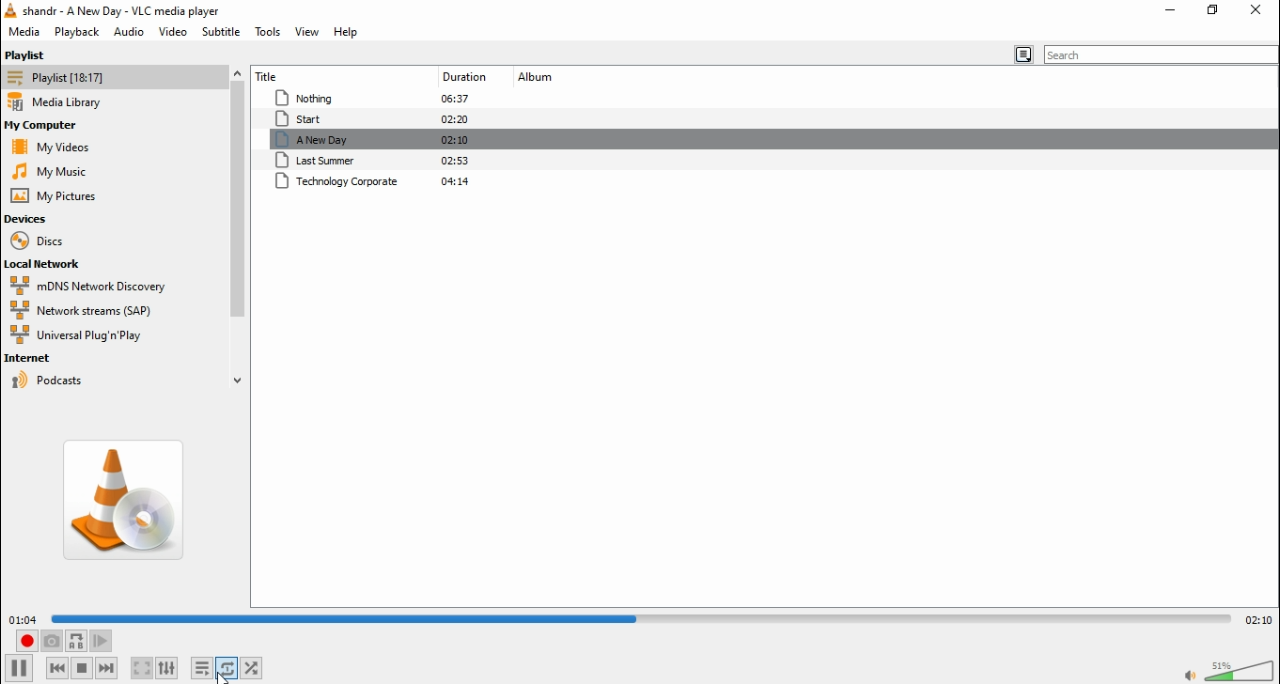  Describe the element at coordinates (22, 619) in the screenshot. I see `elapsed time` at that location.